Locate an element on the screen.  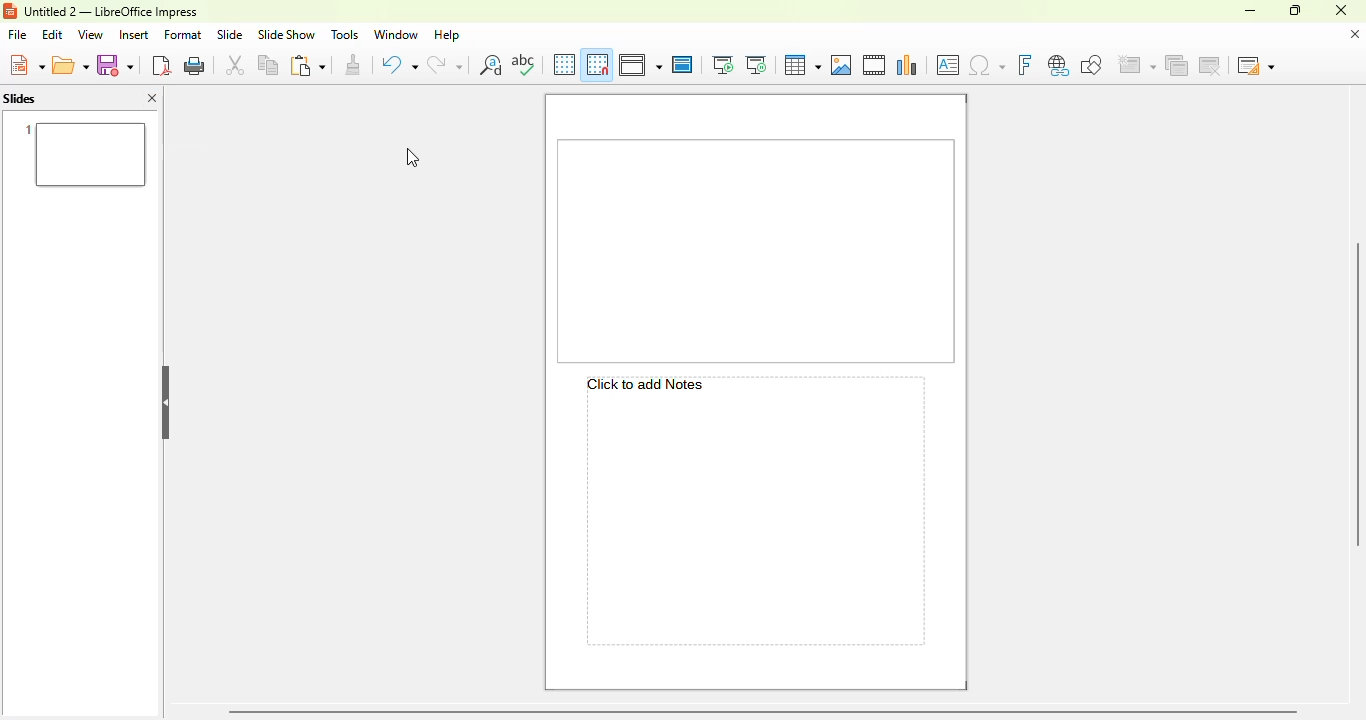
snap to grid is located at coordinates (597, 64).